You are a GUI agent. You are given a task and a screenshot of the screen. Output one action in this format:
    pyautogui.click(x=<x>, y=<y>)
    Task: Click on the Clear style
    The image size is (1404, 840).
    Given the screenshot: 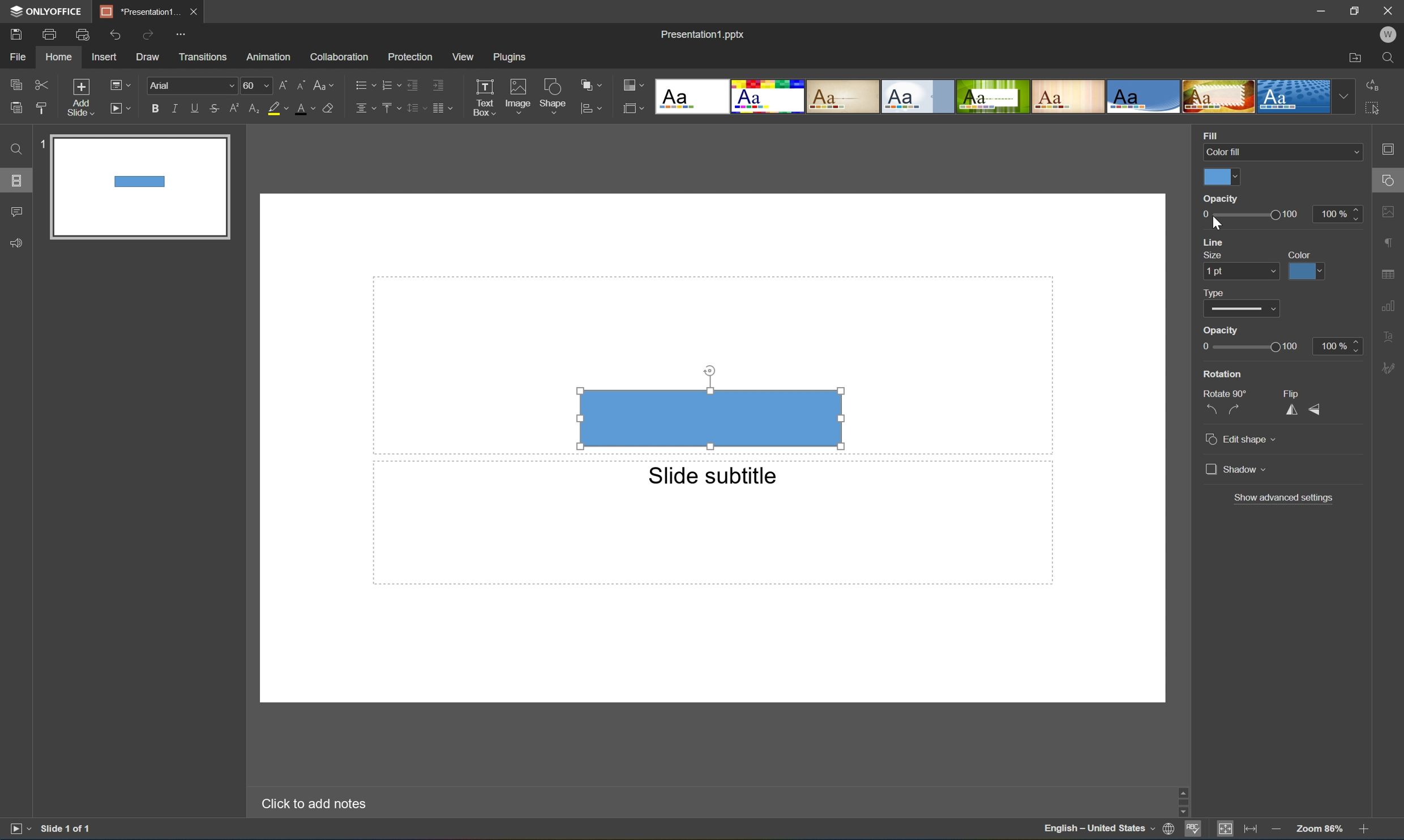 What is the action you would take?
    pyautogui.click(x=335, y=109)
    